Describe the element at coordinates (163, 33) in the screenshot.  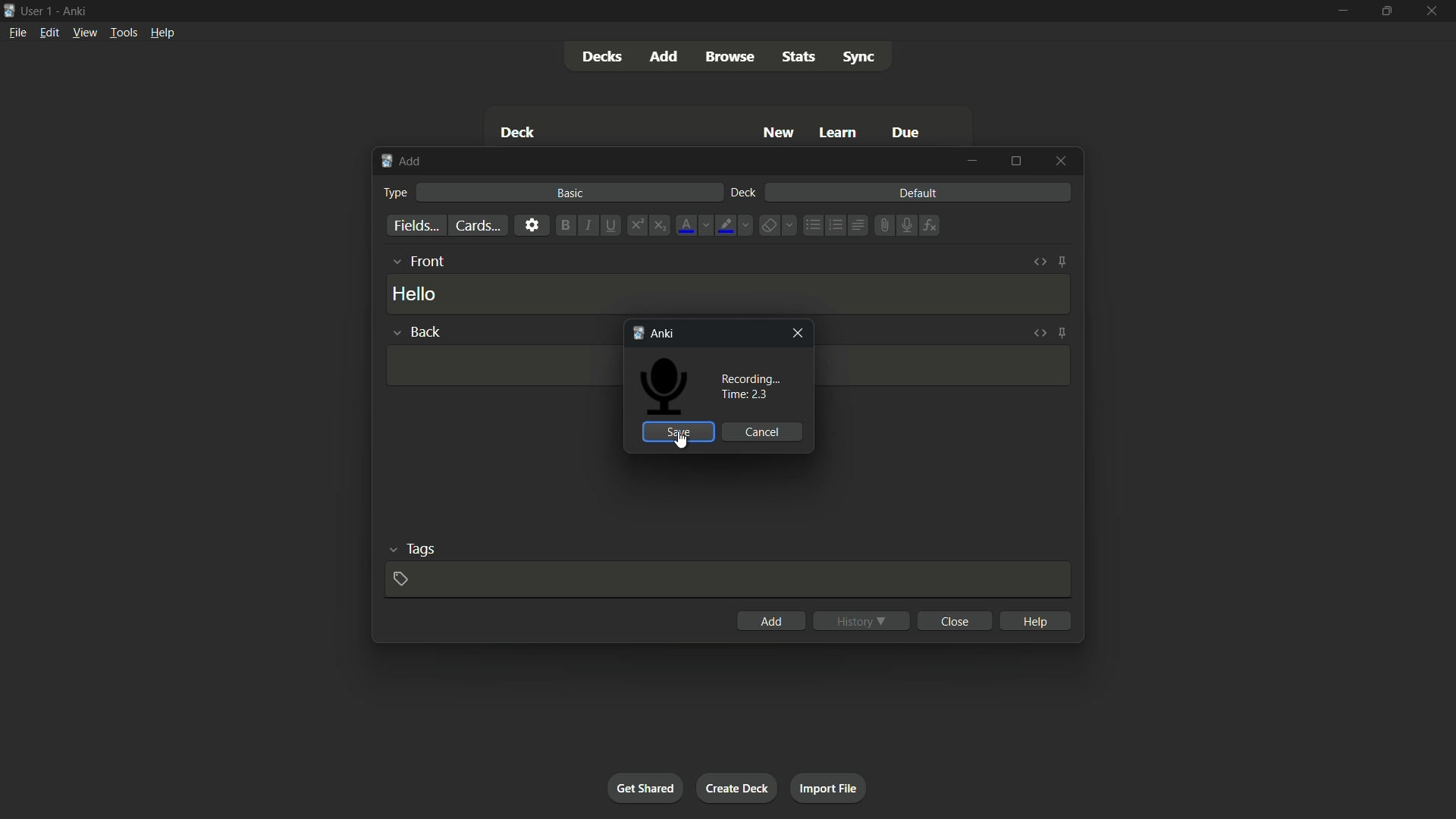
I see `help menu` at that location.